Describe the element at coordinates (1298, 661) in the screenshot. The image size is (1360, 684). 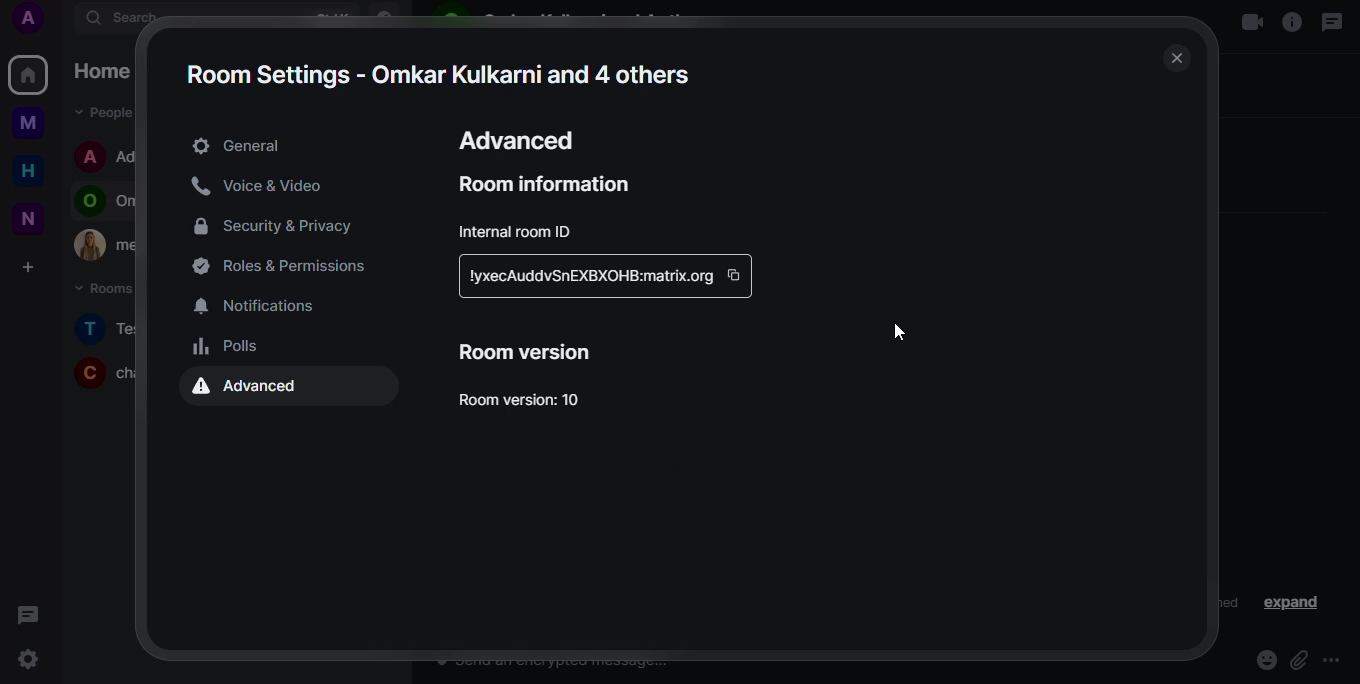
I see `attach` at that location.